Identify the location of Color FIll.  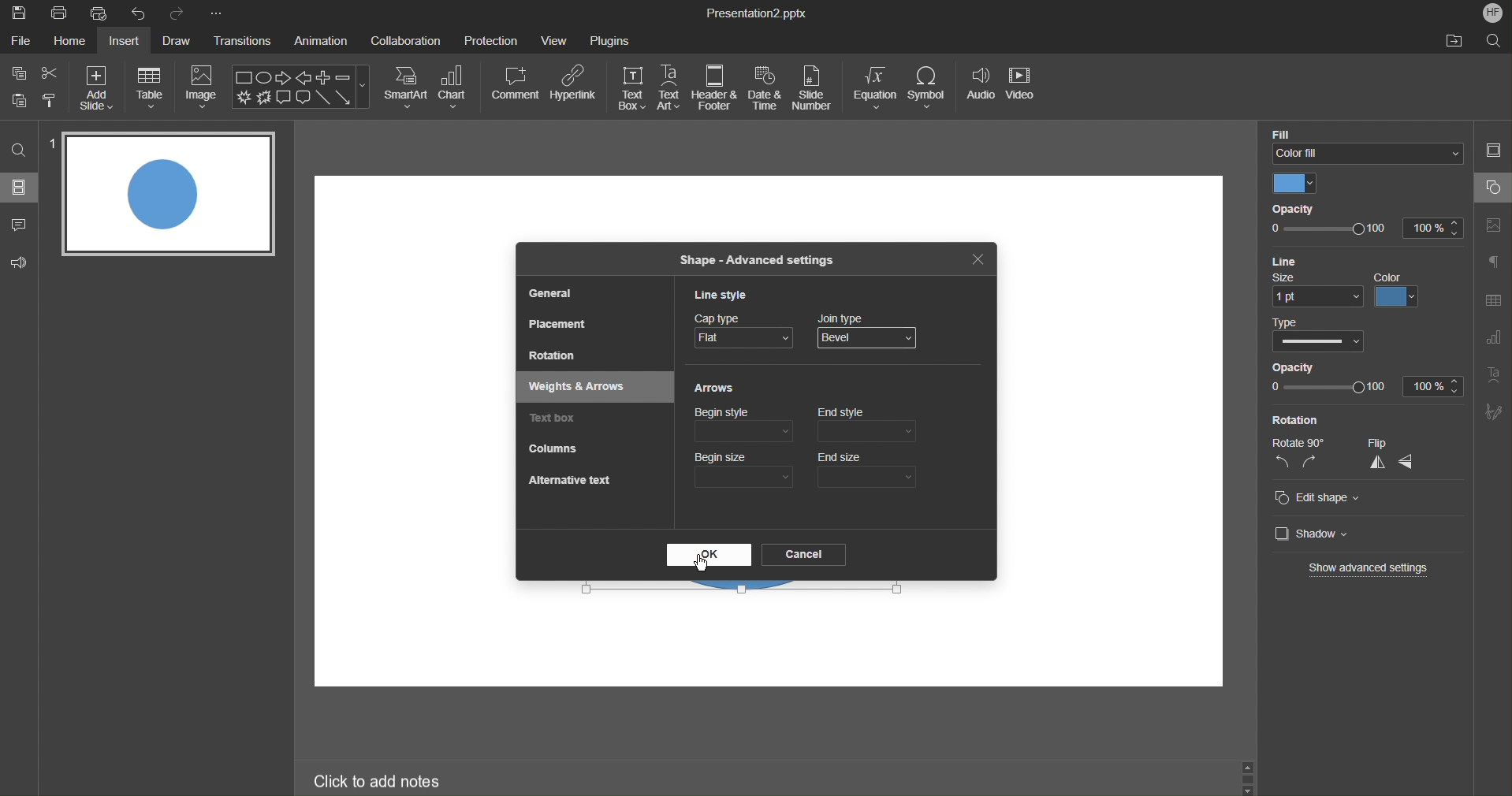
(1364, 143).